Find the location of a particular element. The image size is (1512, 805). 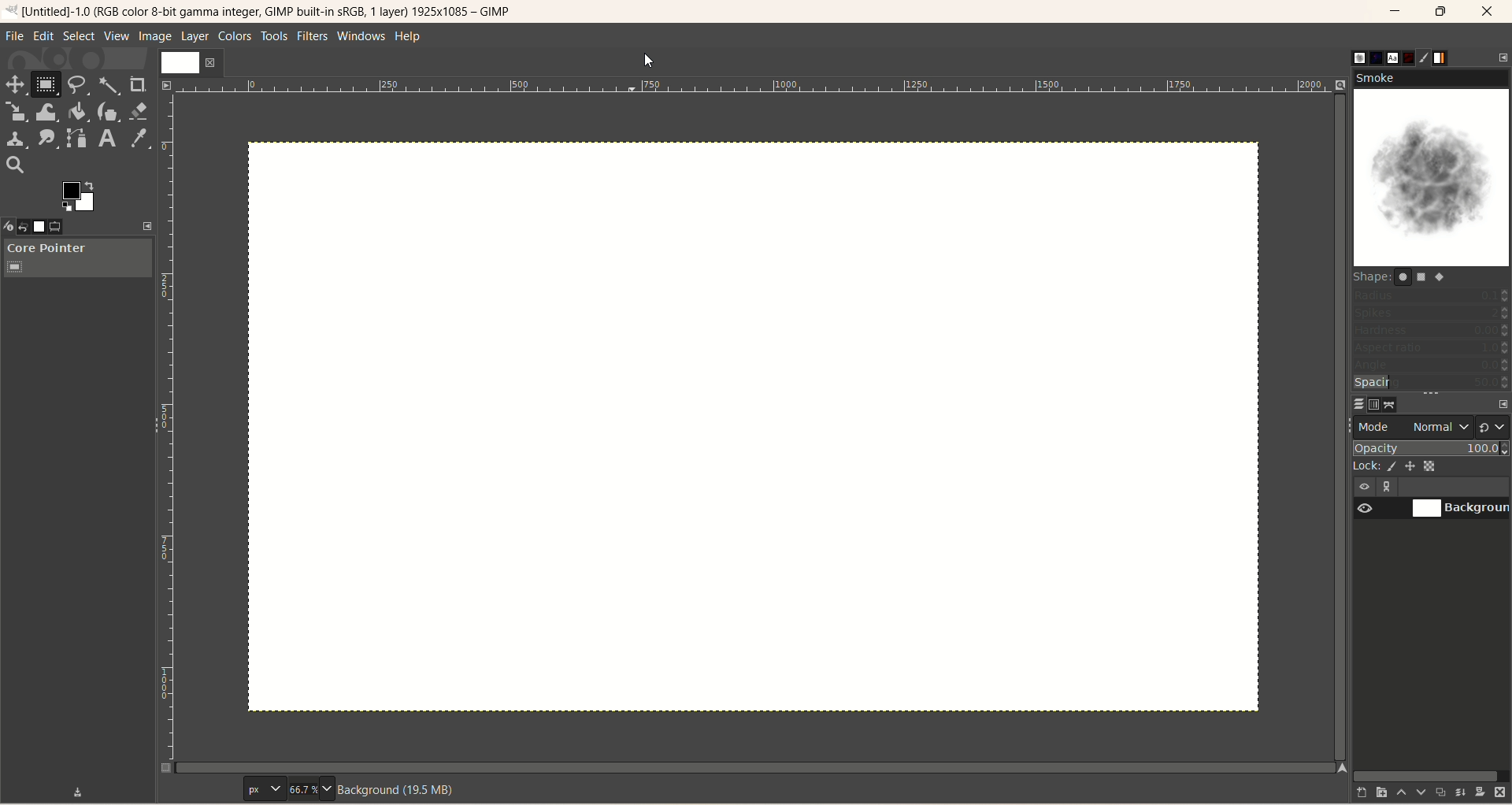

ruler is located at coordinates (753, 85).